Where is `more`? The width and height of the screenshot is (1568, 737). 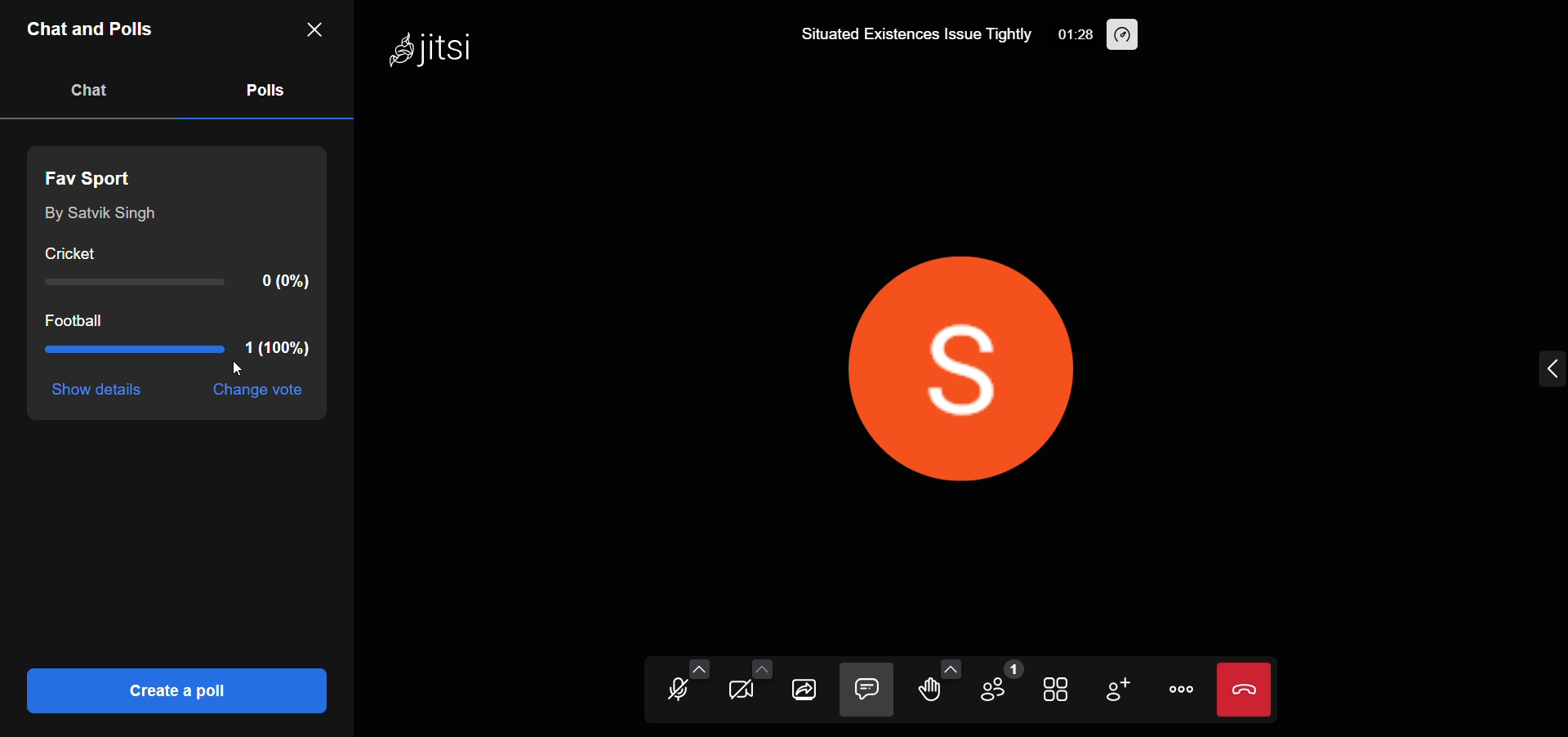
more is located at coordinates (1181, 689).